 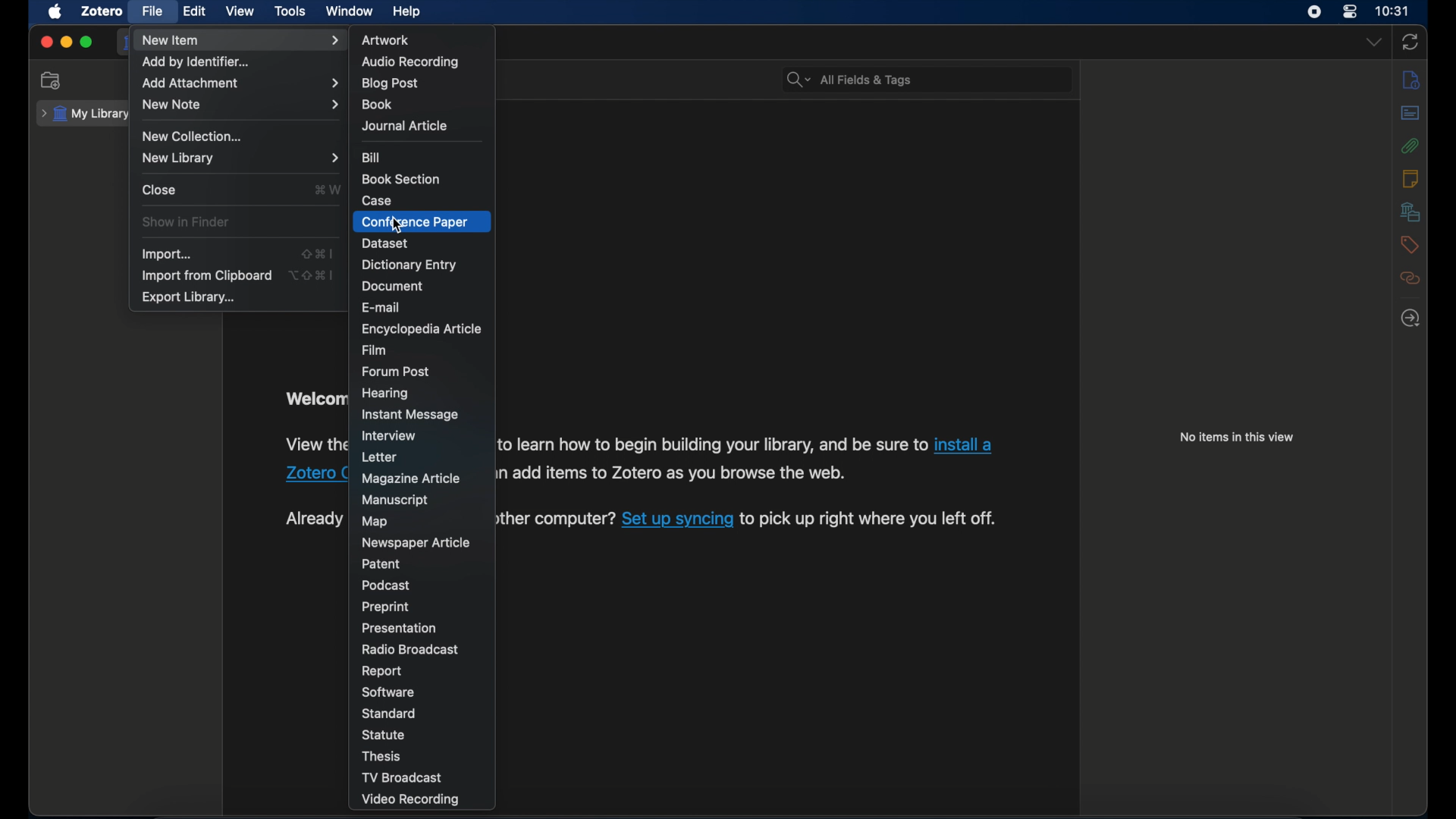 I want to click on forum post, so click(x=396, y=372).